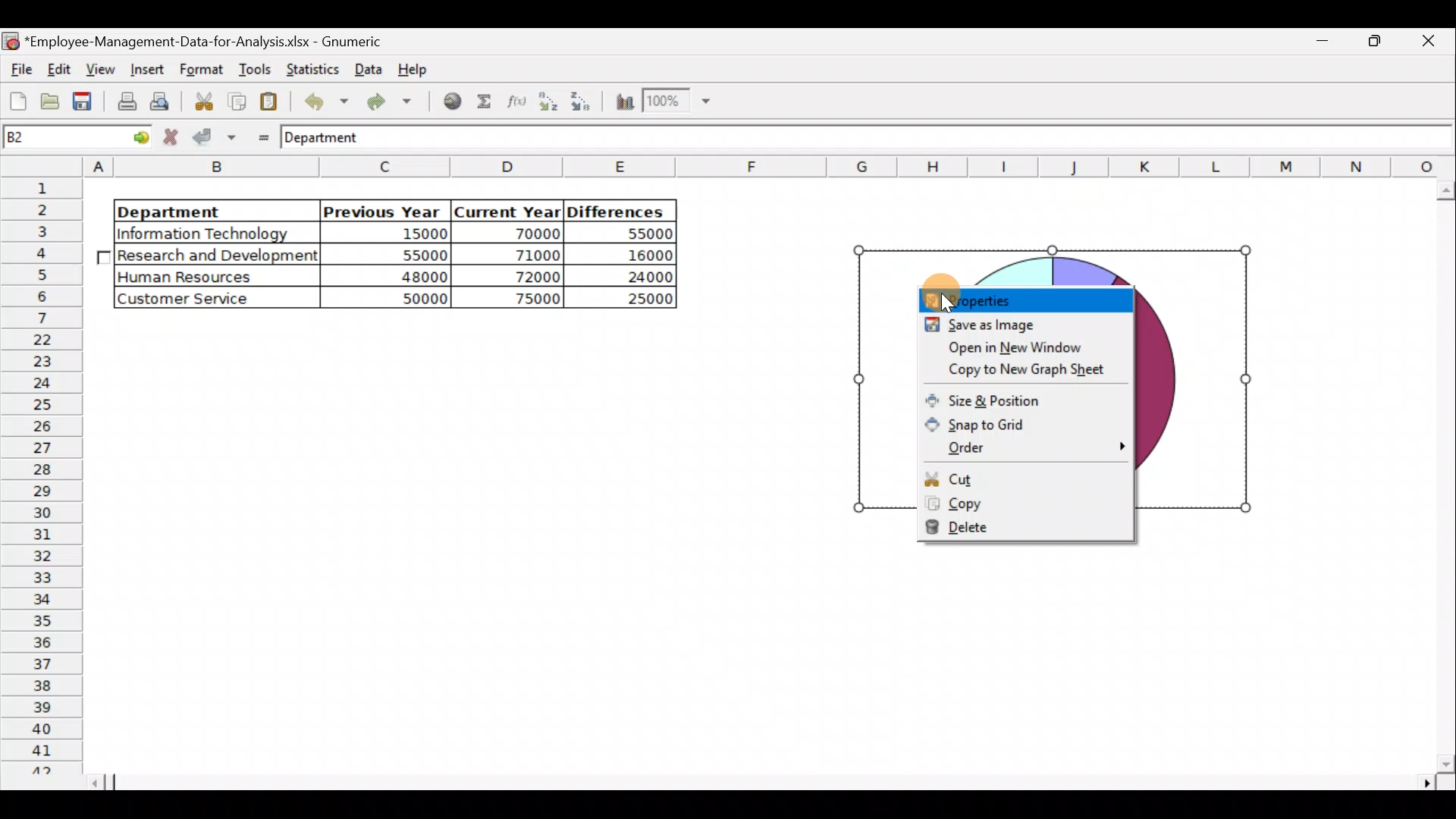 This screenshot has height=819, width=1456. I want to click on Save as image, so click(1025, 325).